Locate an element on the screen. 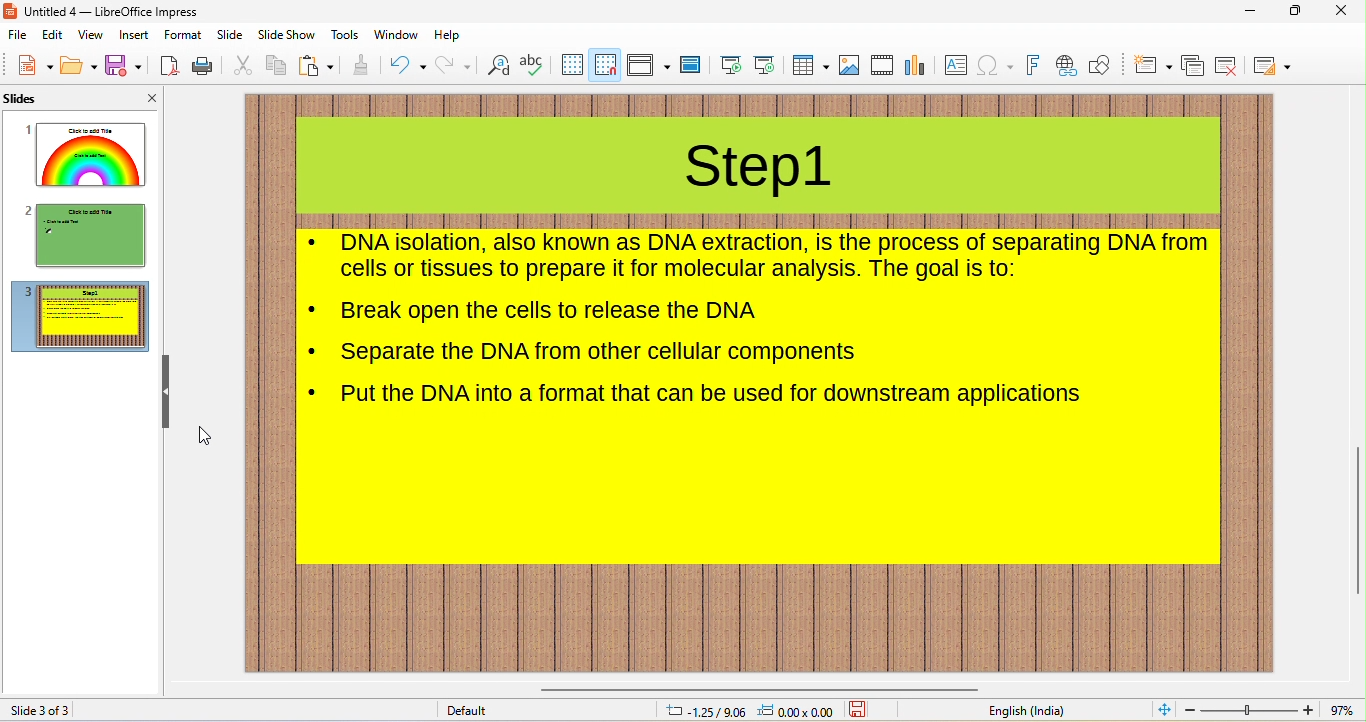  export pdf is located at coordinates (170, 66).